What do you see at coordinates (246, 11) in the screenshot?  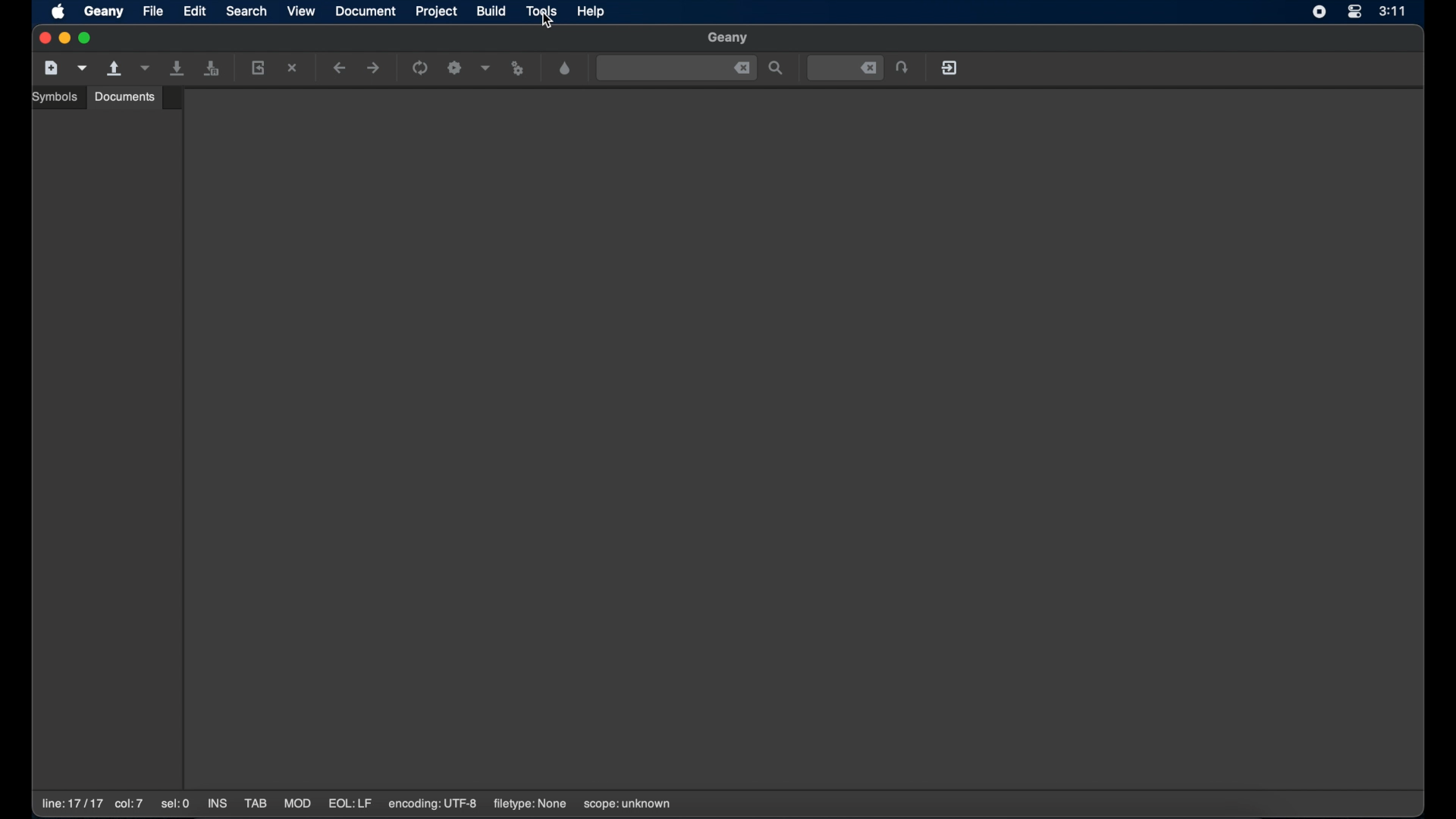 I see `search` at bounding box center [246, 11].